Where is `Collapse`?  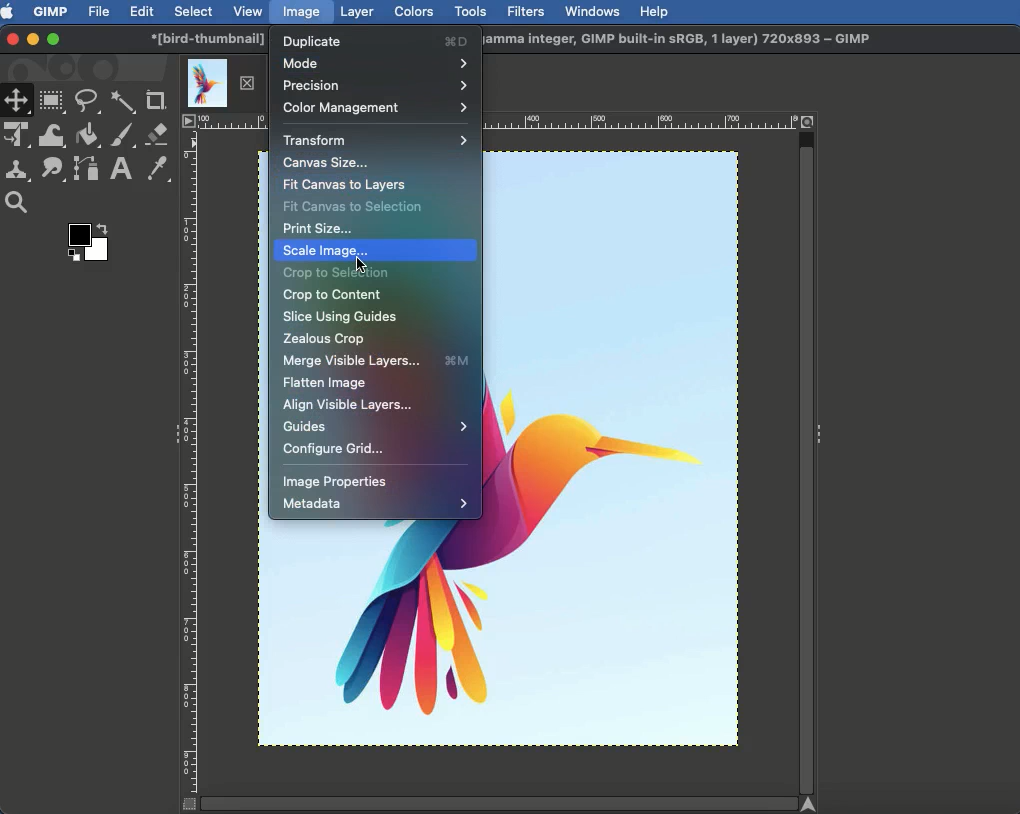 Collapse is located at coordinates (819, 437).